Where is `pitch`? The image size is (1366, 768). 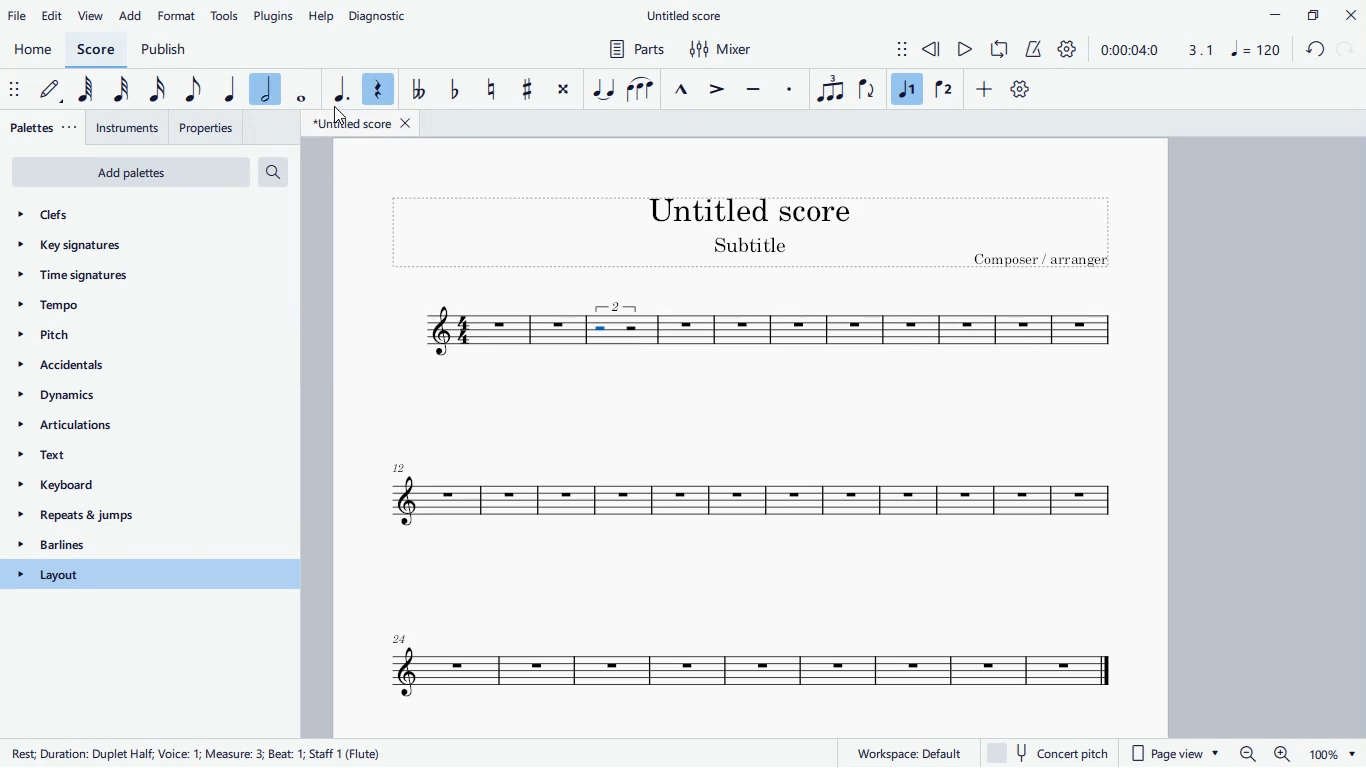 pitch is located at coordinates (79, 334).